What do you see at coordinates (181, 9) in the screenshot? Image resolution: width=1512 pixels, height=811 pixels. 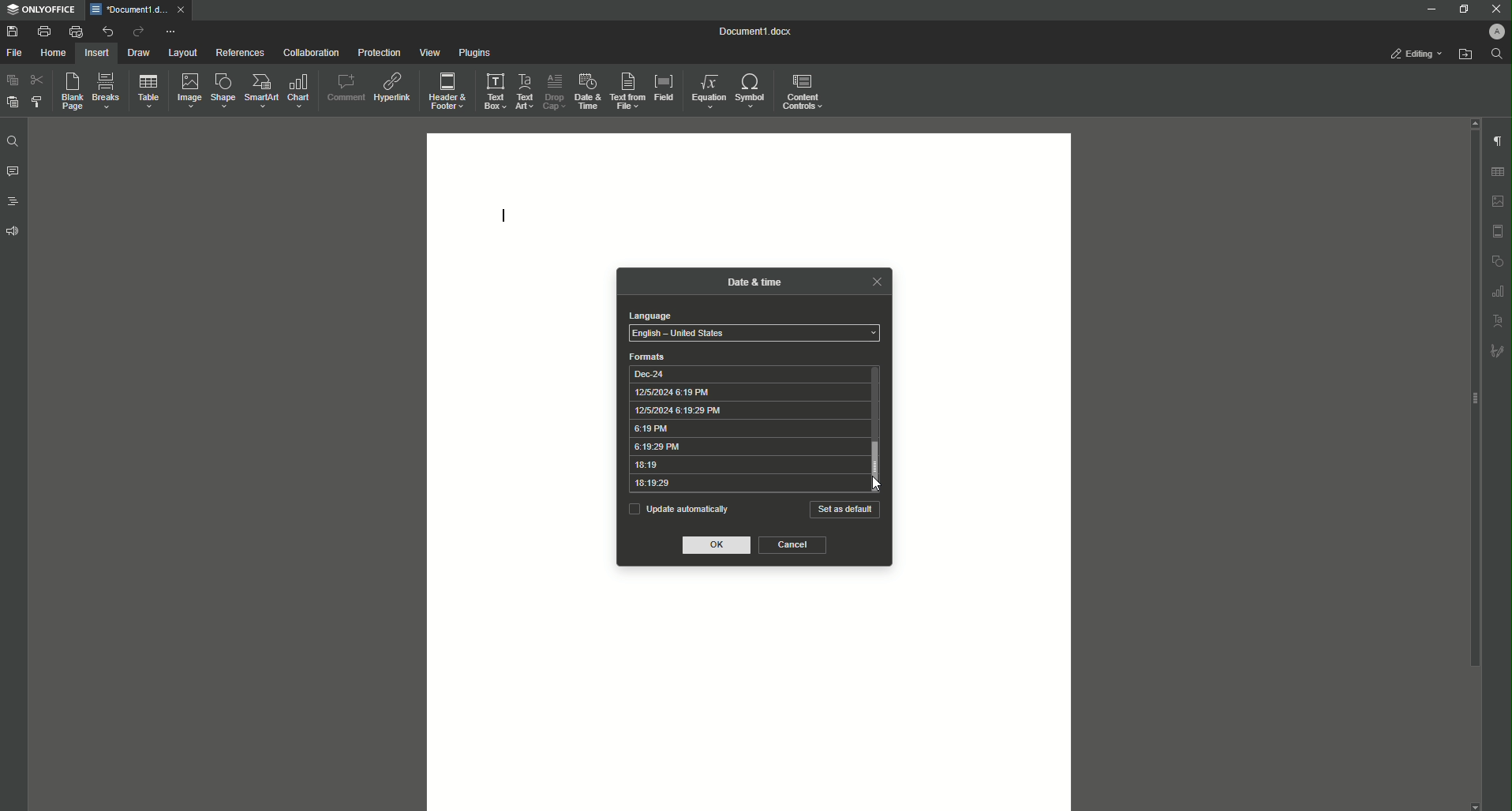 I see `close` at bounding box center [181, 9].